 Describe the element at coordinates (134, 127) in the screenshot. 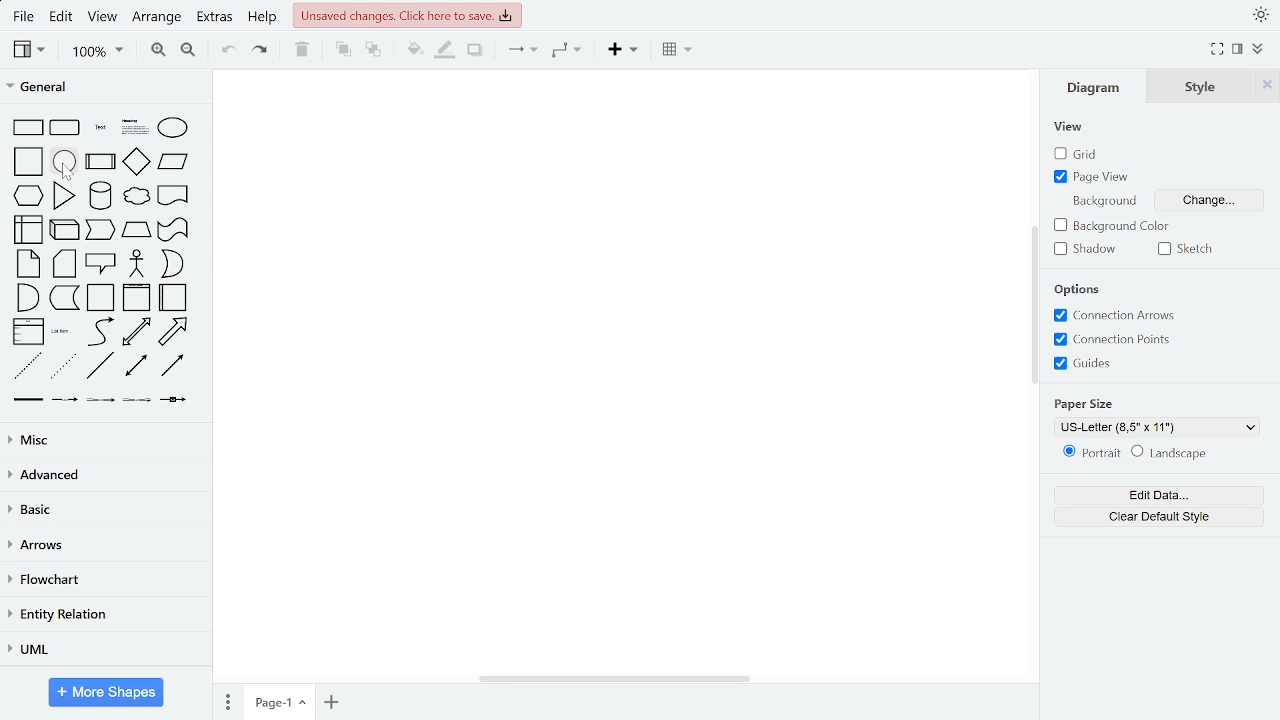

I see `heading` at that location.